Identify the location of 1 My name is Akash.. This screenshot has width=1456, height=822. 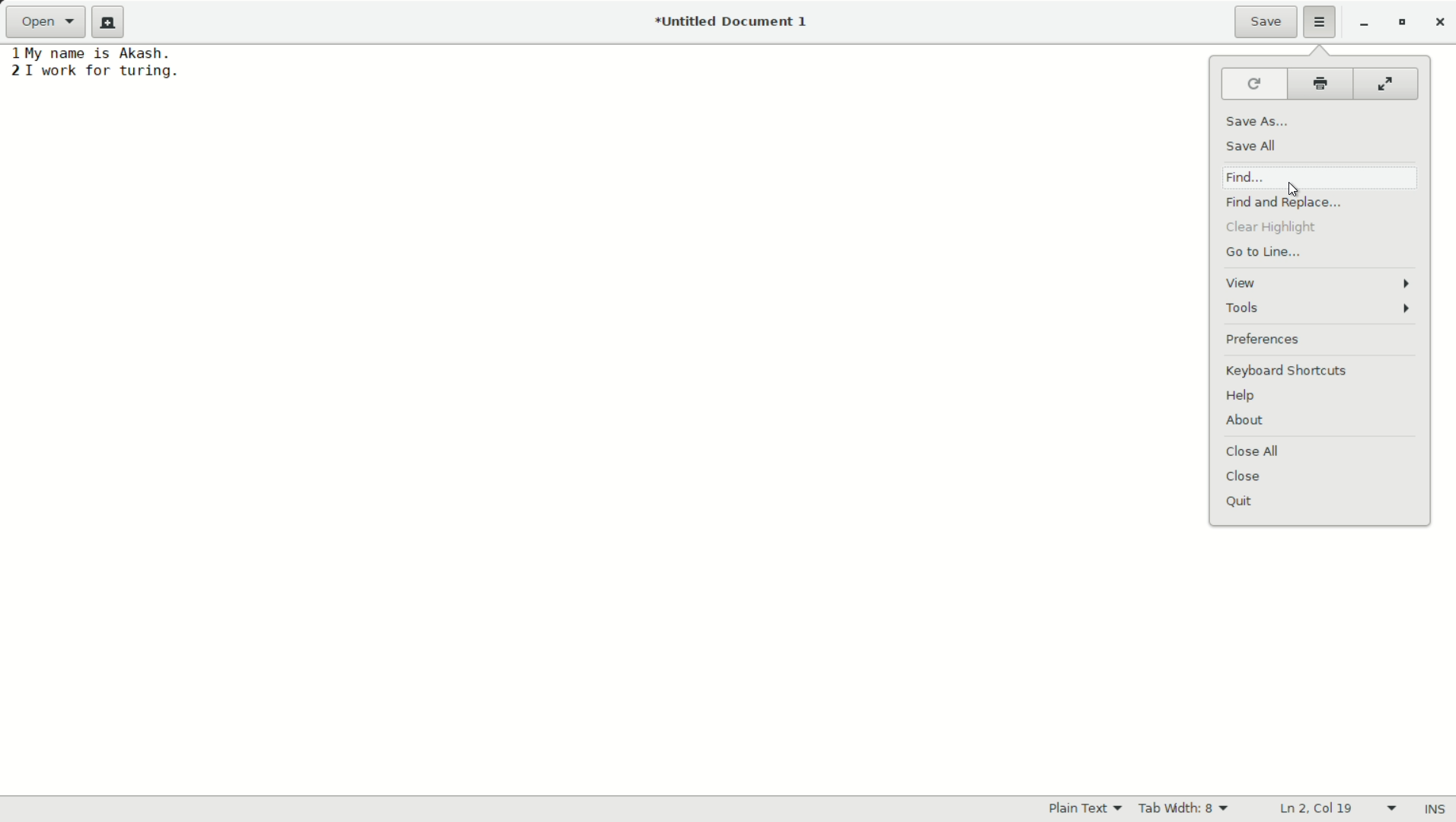
(91, 53).